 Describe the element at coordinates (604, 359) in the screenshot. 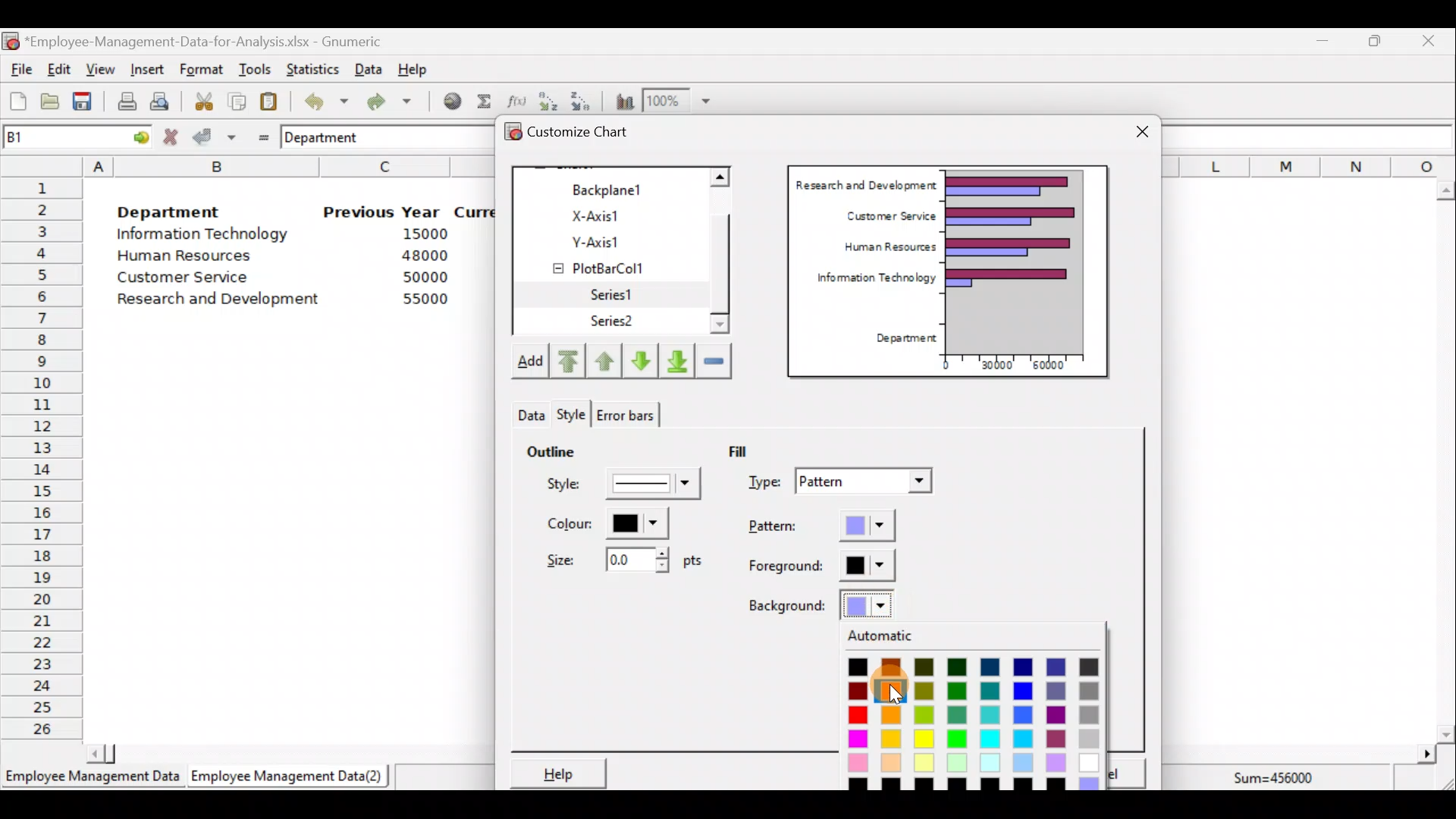

I see `Move up` at that location.